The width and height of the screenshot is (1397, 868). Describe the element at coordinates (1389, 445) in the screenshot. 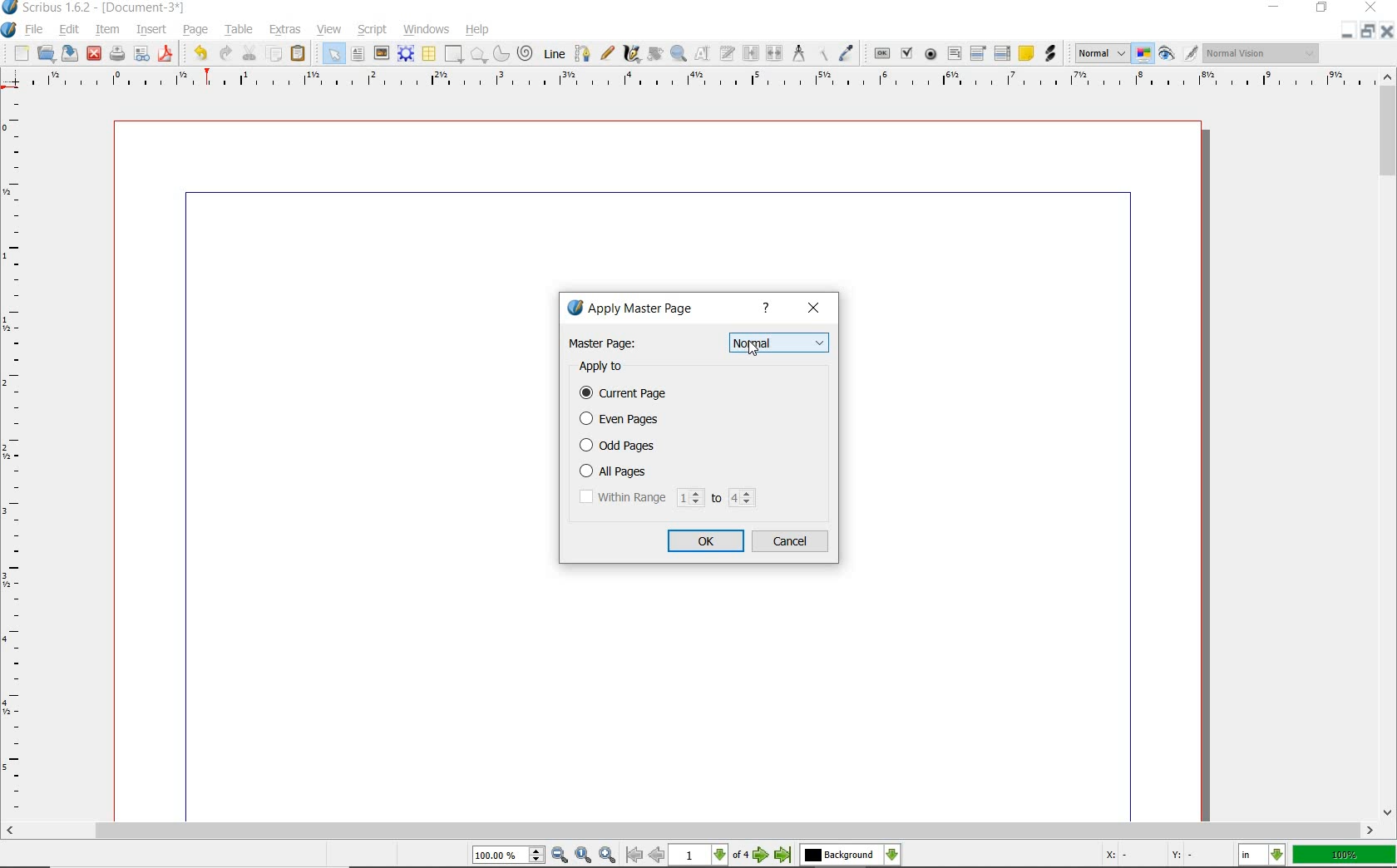

I see `scrollbar` at that location.